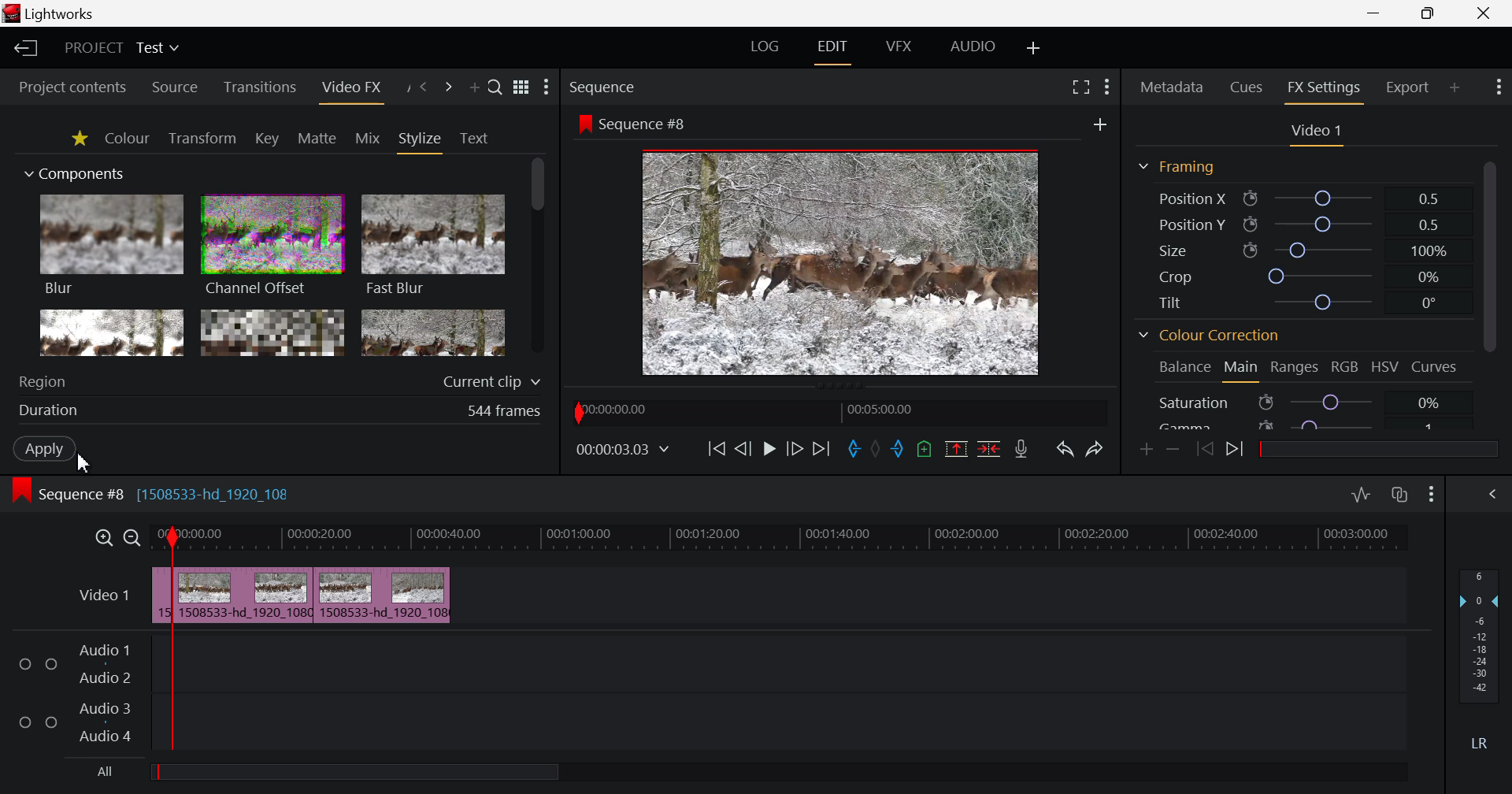  What do you see at coordinates (837, 410) in the screenshot?
I see `Project Timeline Navigator` at bounding box center [837, 410].